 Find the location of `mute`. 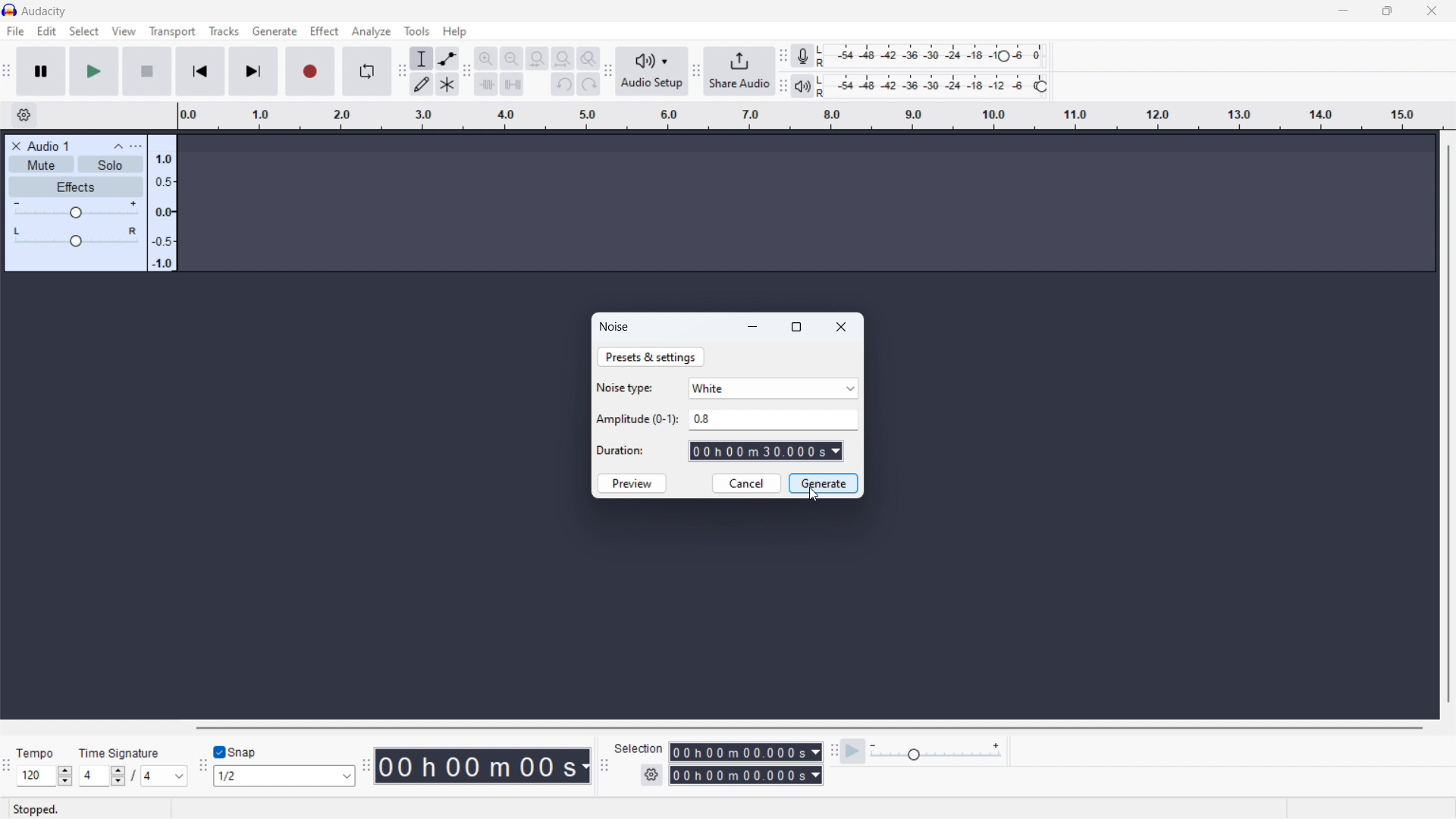

mute is located at coordinates (41, 164).